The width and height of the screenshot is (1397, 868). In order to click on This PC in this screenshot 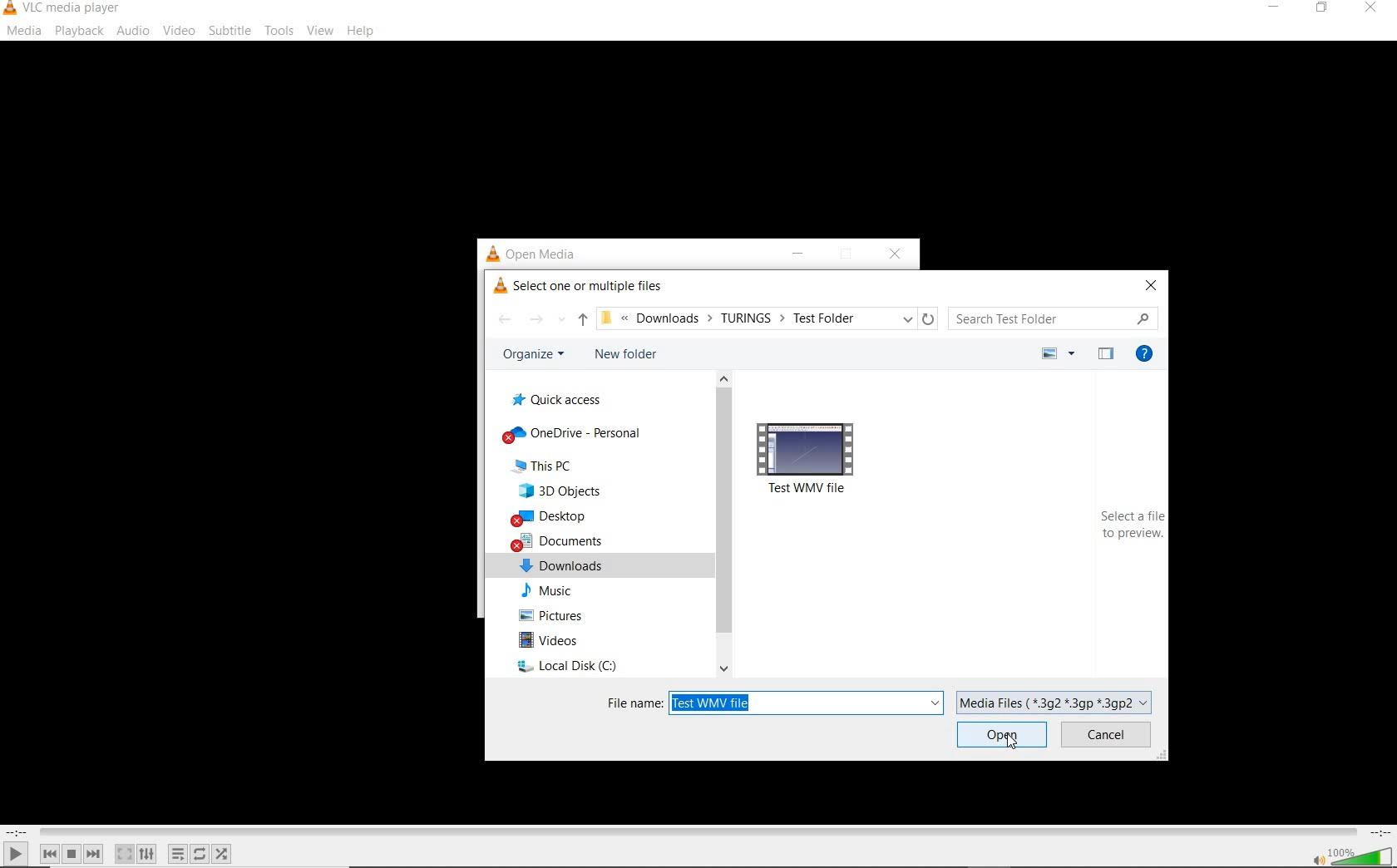, I will do `click(554, 464)`.